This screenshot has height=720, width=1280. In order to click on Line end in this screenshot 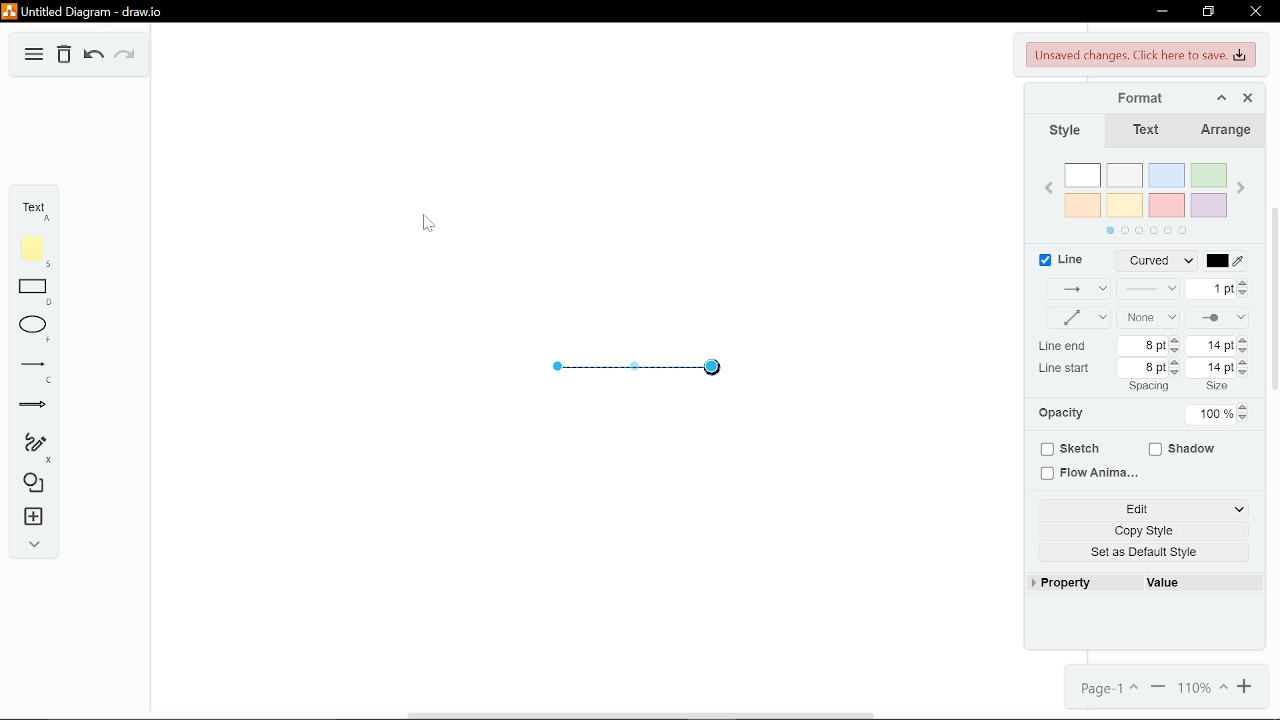, I will do `click(1218, 318)`.